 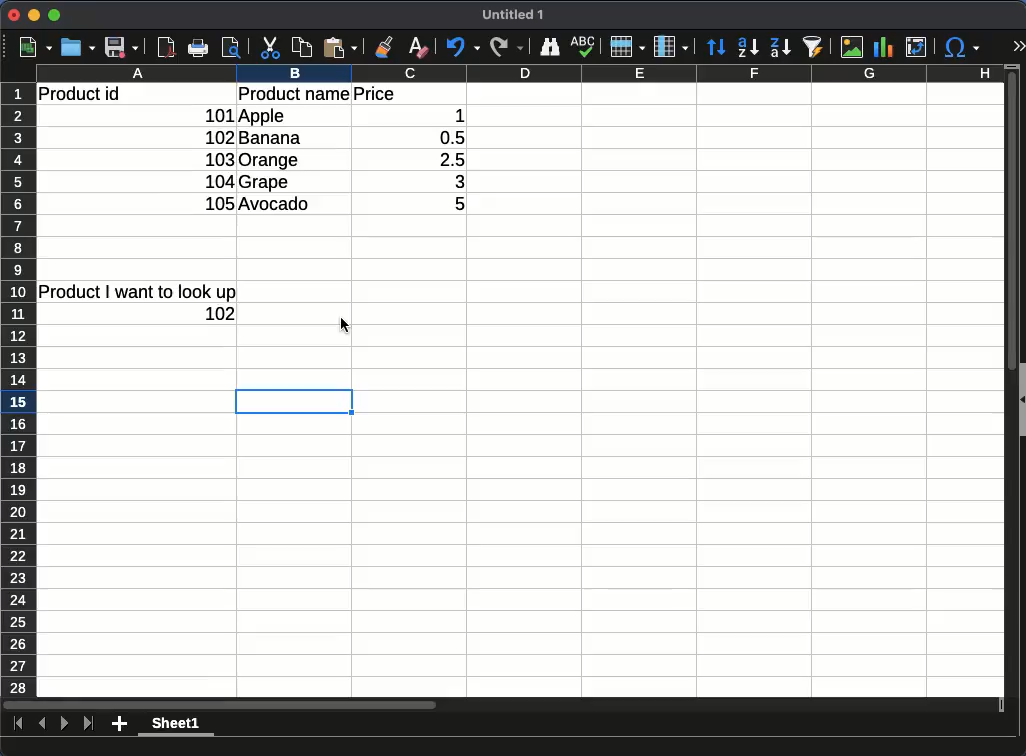 What do you see at coordinates (14, 15) in the screenshot?
I see `close` at bounding box center [14, 15].